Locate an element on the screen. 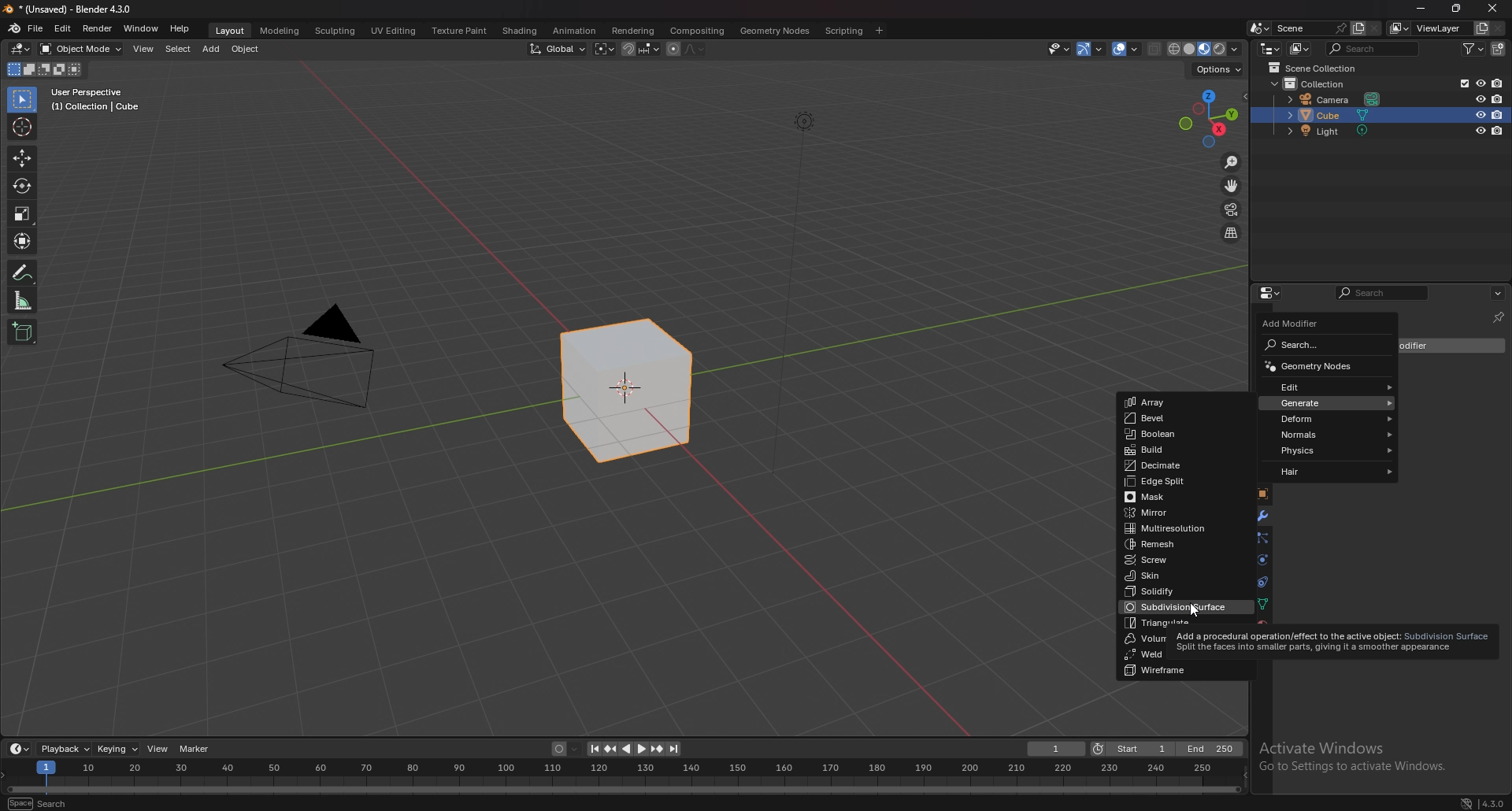 The image size is (1512, 811). editor type is located at coordinates (20, 749).